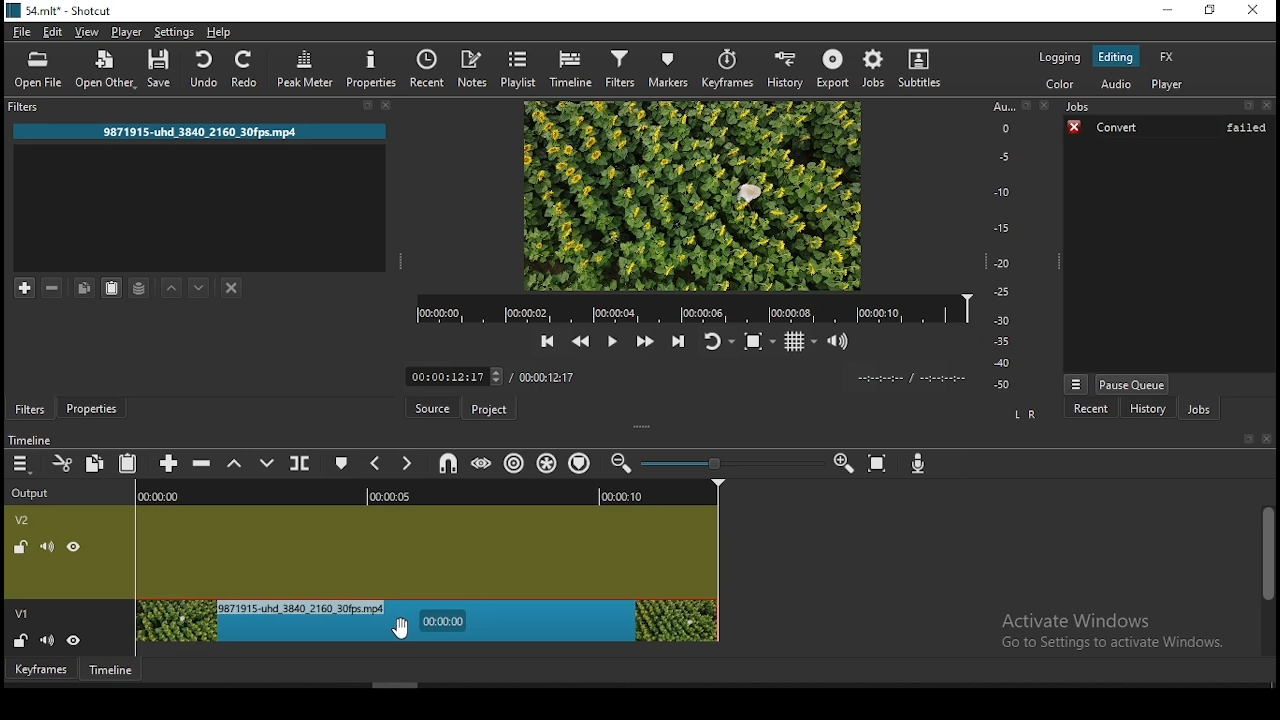 This screenshot has width=1280, height=720. I want to click on ripple markers, so click(583, 463).